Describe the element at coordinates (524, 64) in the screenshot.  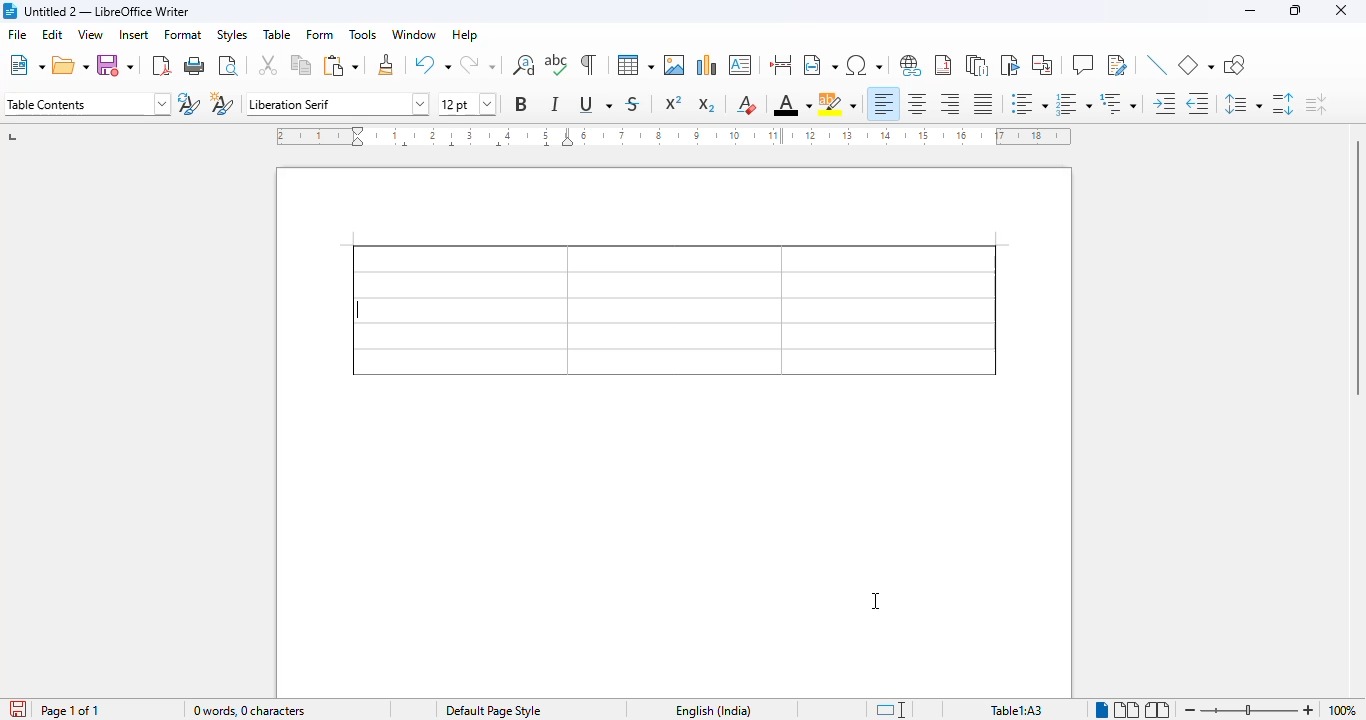
I see `find and replace` at that location.